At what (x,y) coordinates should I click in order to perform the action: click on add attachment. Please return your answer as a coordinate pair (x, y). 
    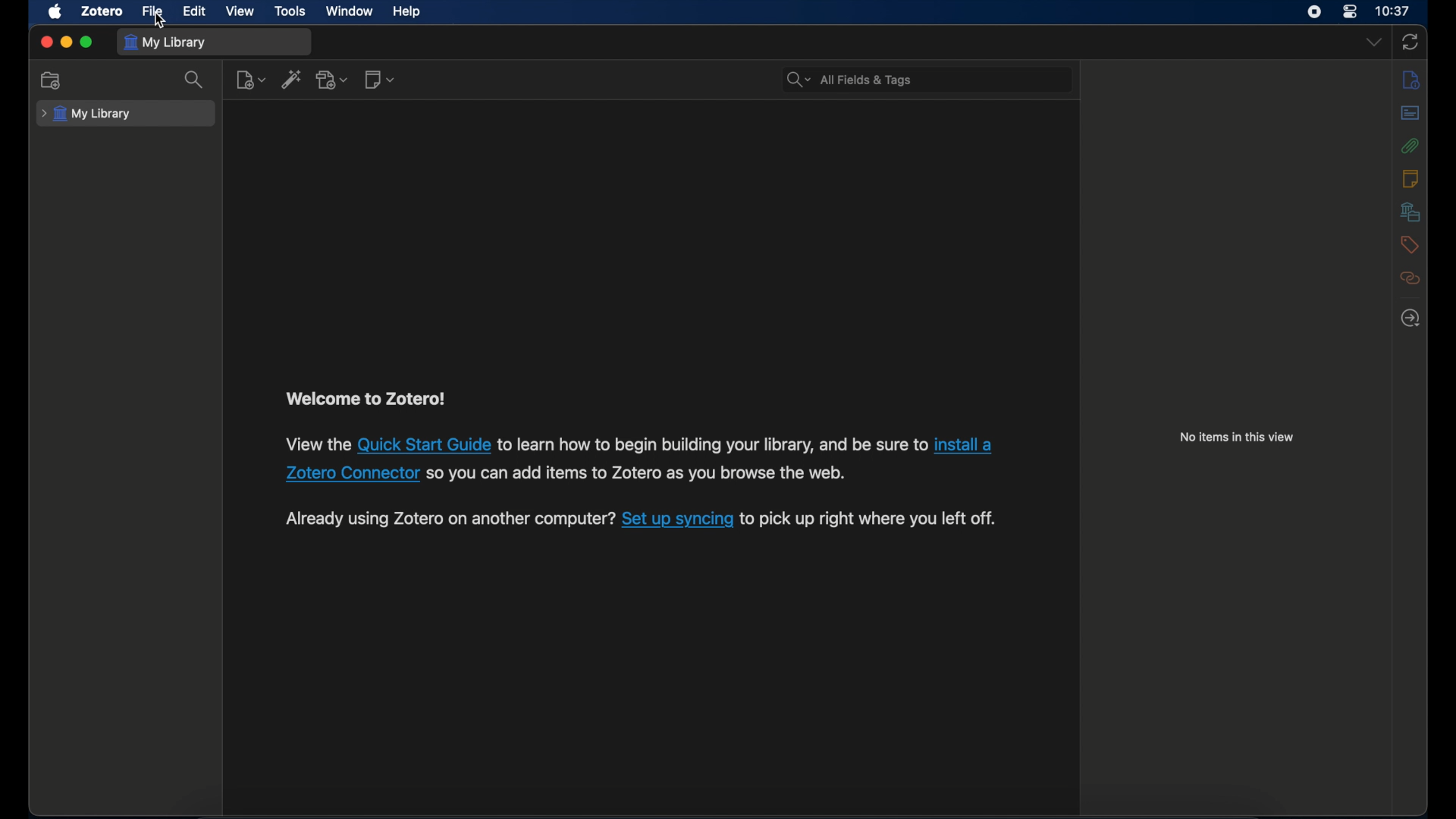
    Looking at the image, I should click on (332, 80).